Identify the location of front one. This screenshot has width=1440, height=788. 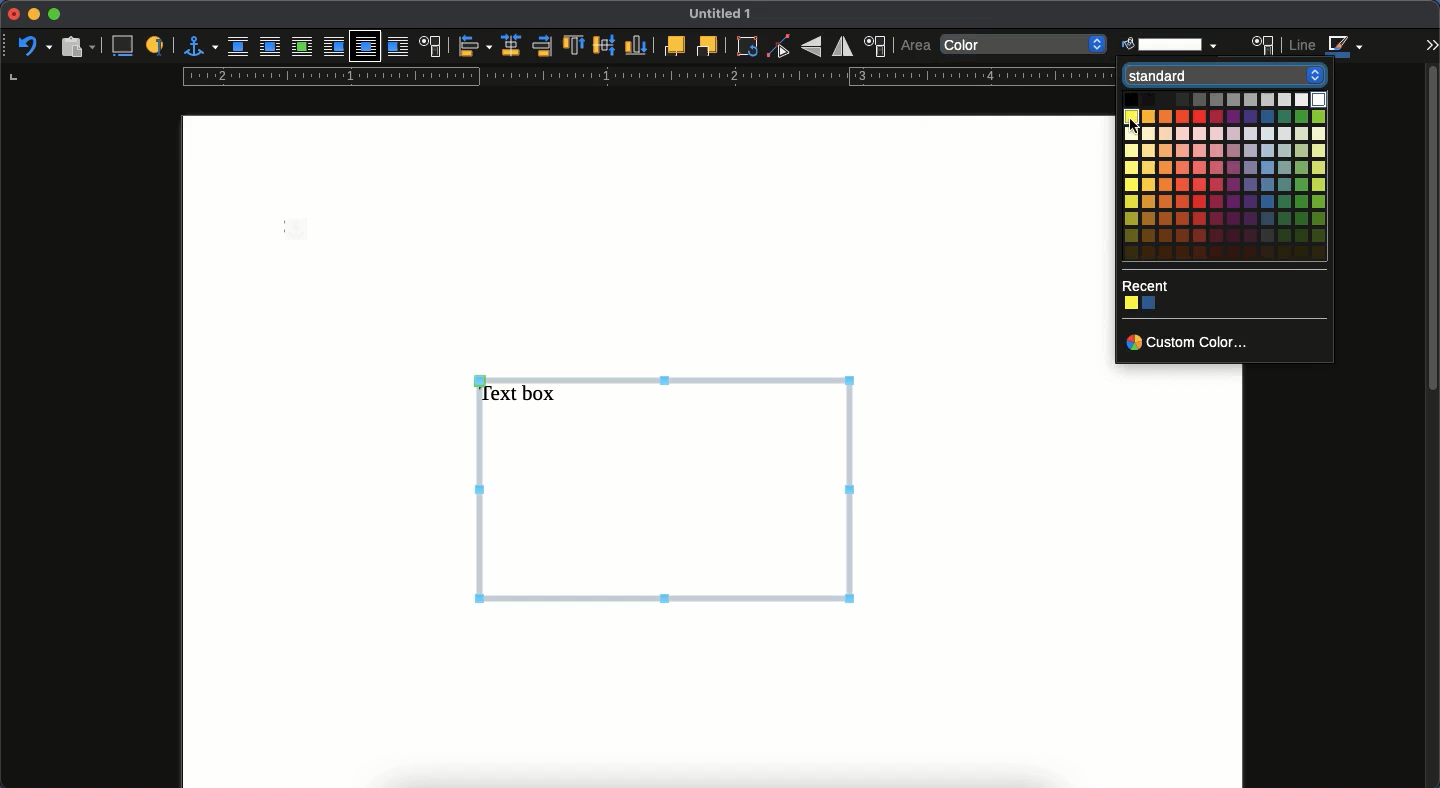
(673, 45).